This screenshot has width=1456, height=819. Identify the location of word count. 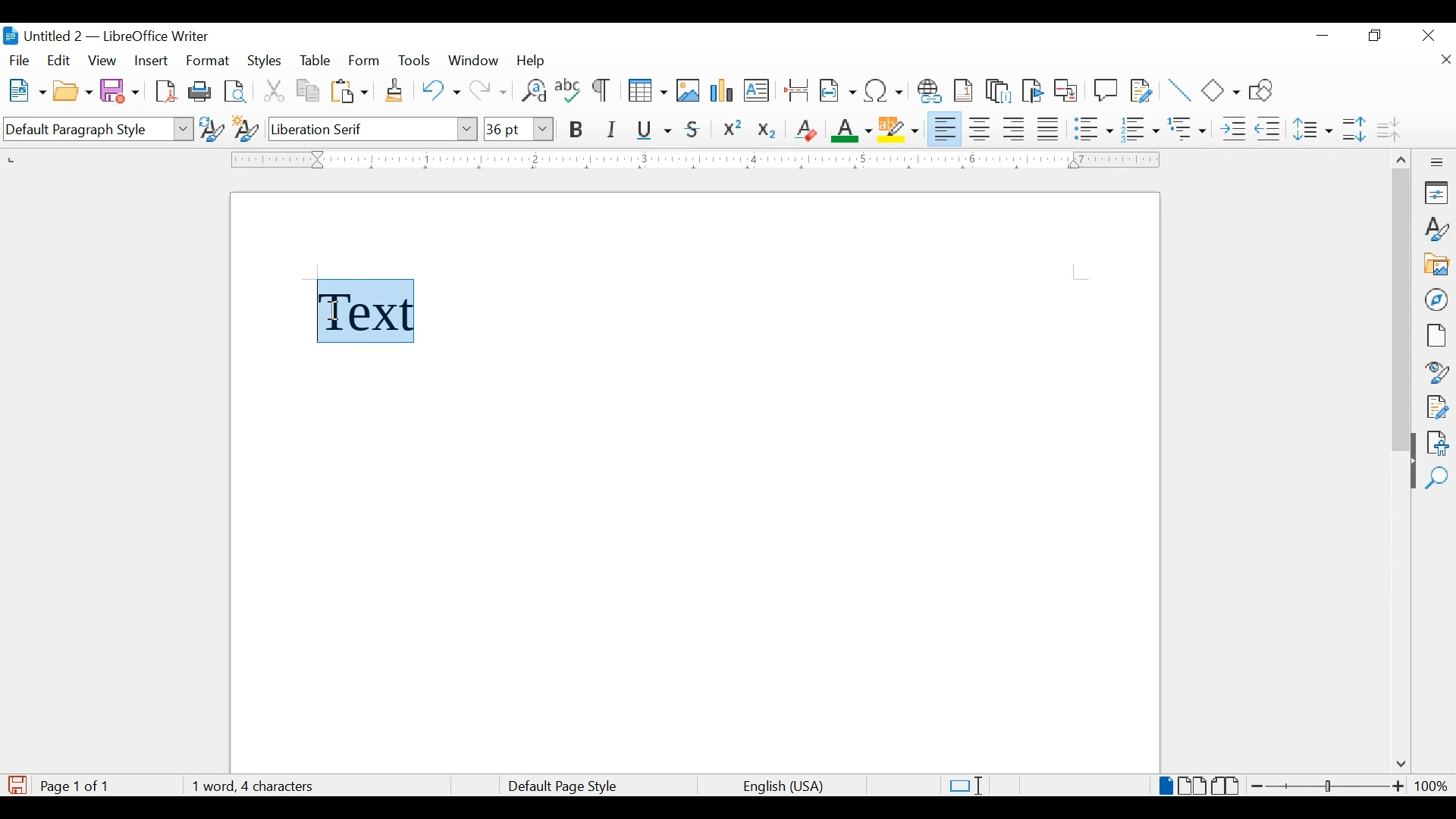
(253, 786).